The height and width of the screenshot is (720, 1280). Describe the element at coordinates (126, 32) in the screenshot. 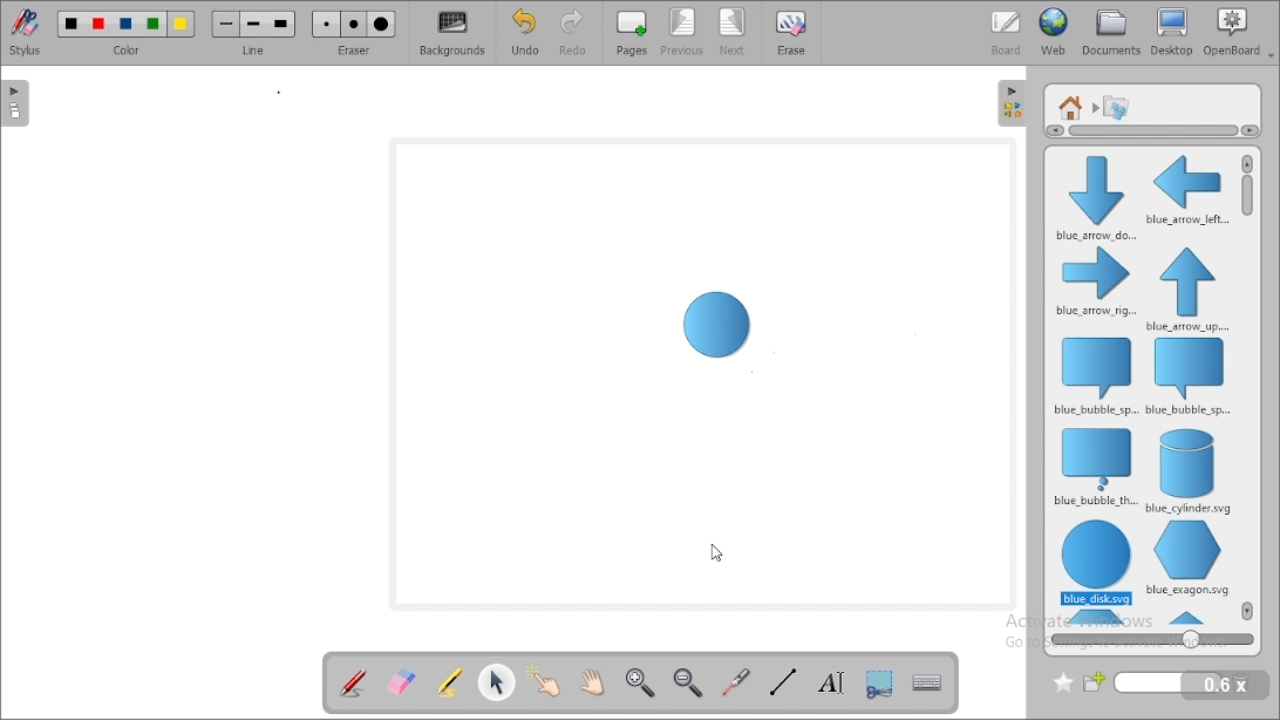

I see `color` at that location.